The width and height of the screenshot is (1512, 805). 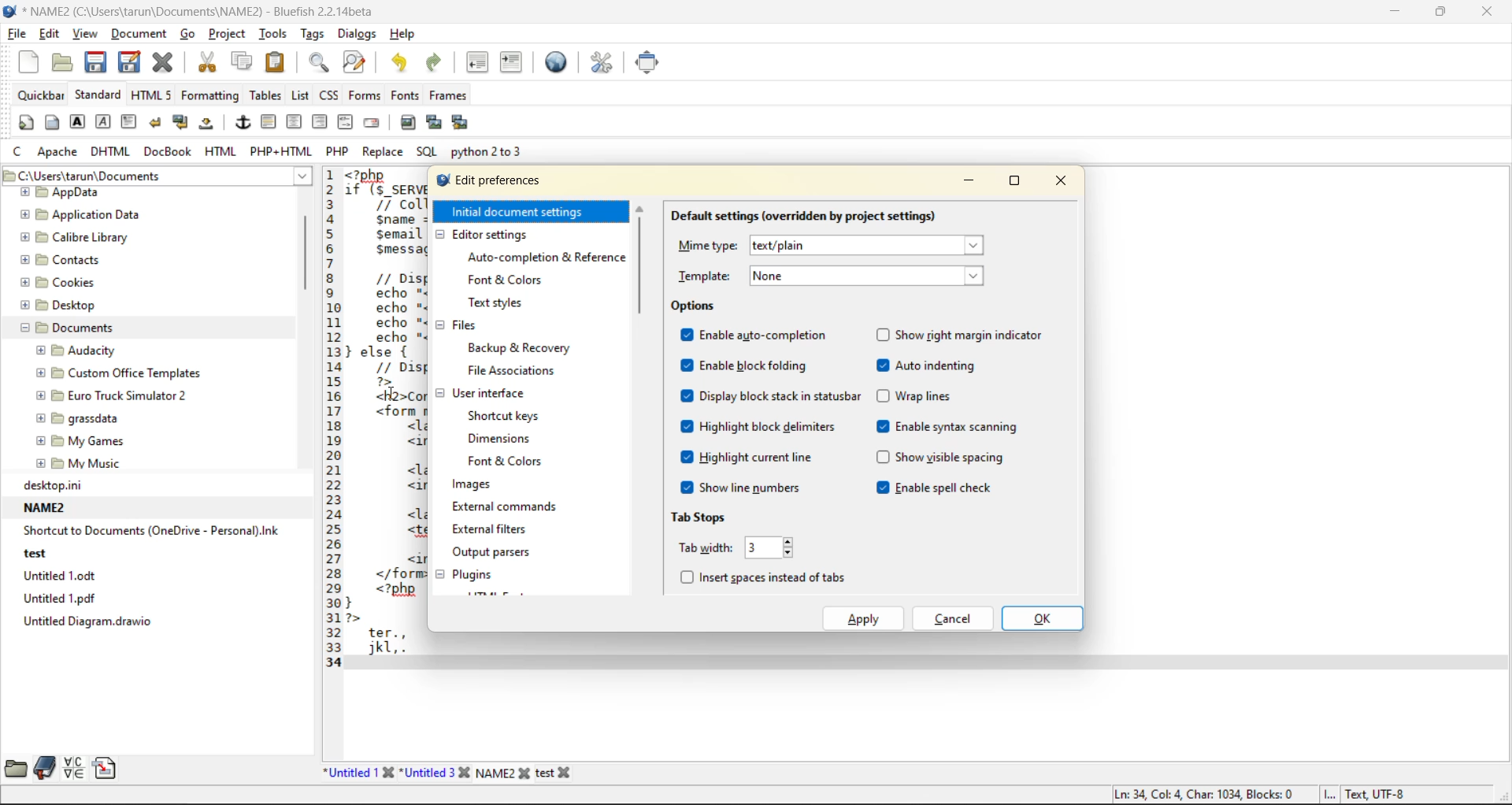 What do you see at coordinates (155, 97) in the screenshot?
I see `html 5` at bounding box center [155, 97].